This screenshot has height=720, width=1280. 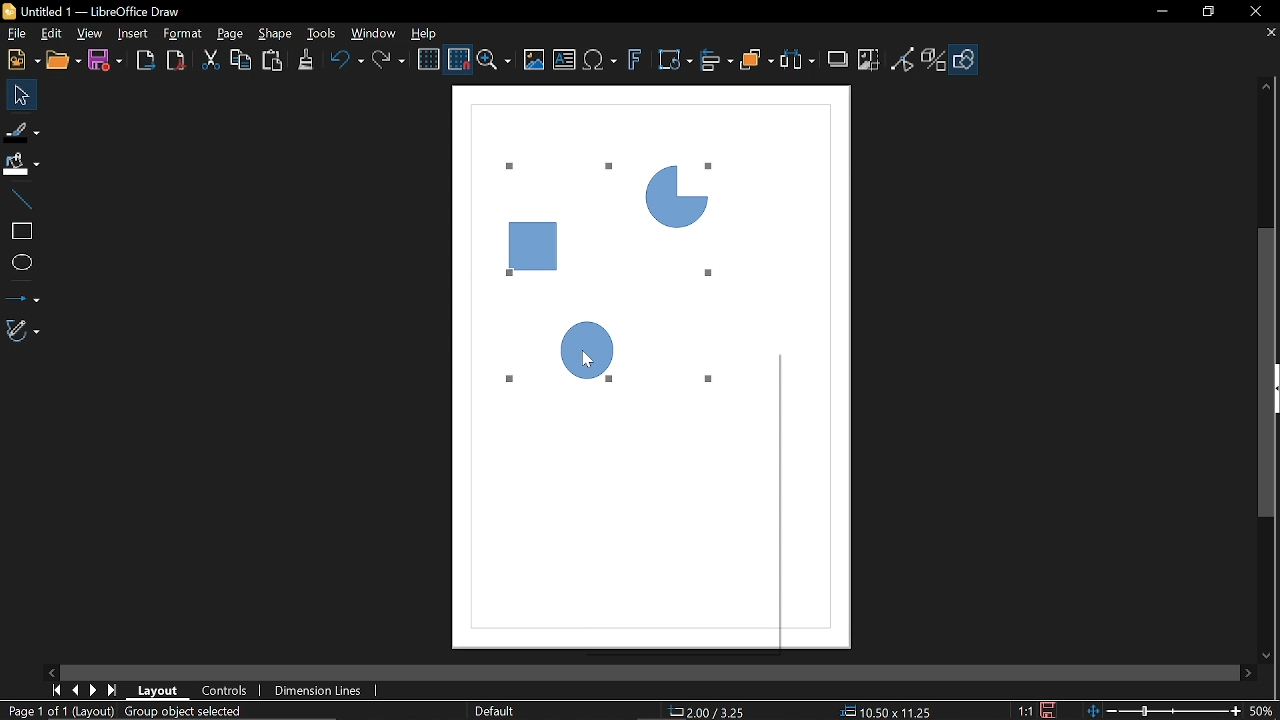 What do you see at coordinates (589, 358) in the screenshot?
I see `cursor` at bounding box center [589, 358].